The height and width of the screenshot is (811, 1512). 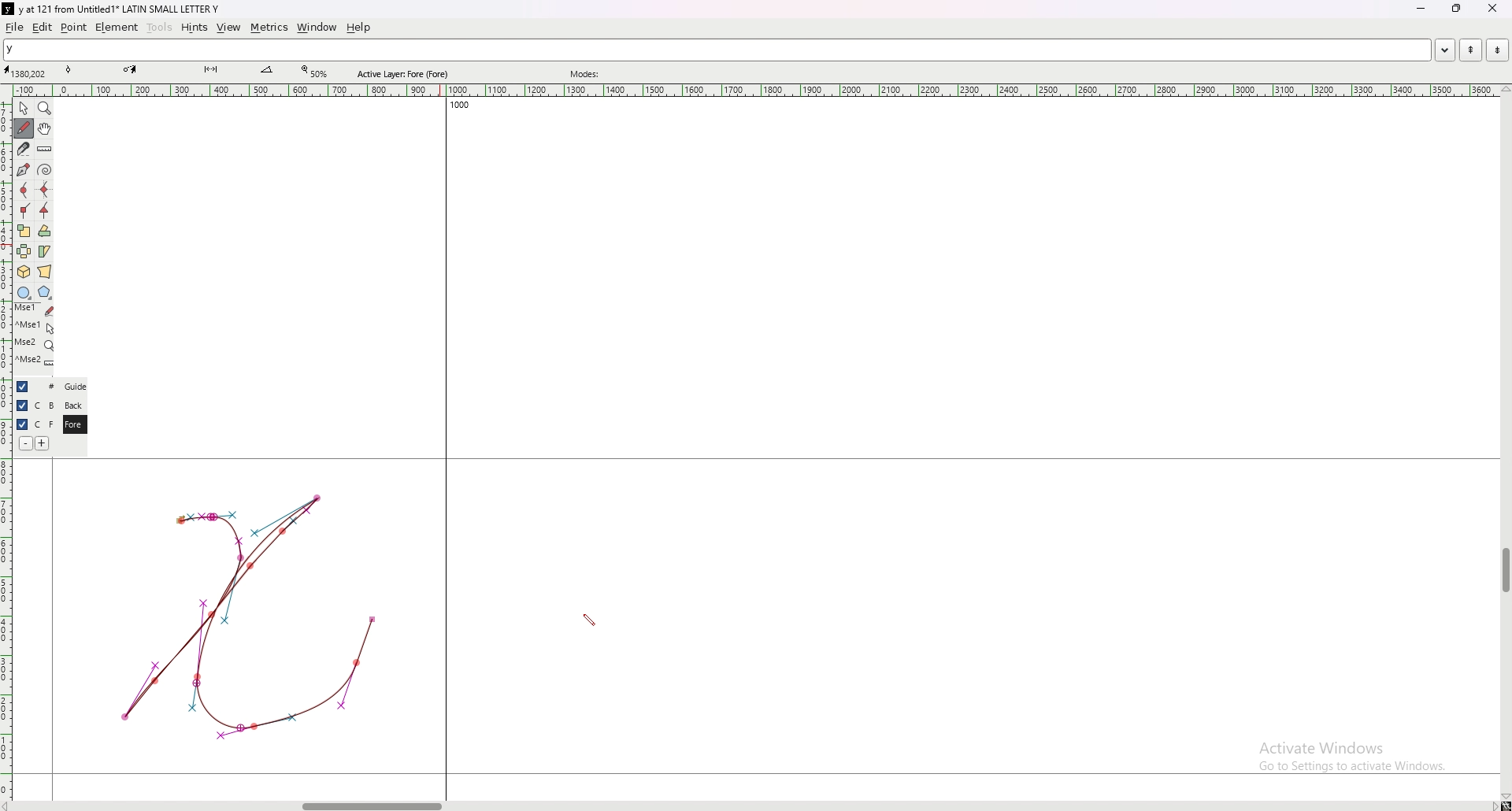 I want to click on perform a perspective transformation, so click(x=45, y=272).